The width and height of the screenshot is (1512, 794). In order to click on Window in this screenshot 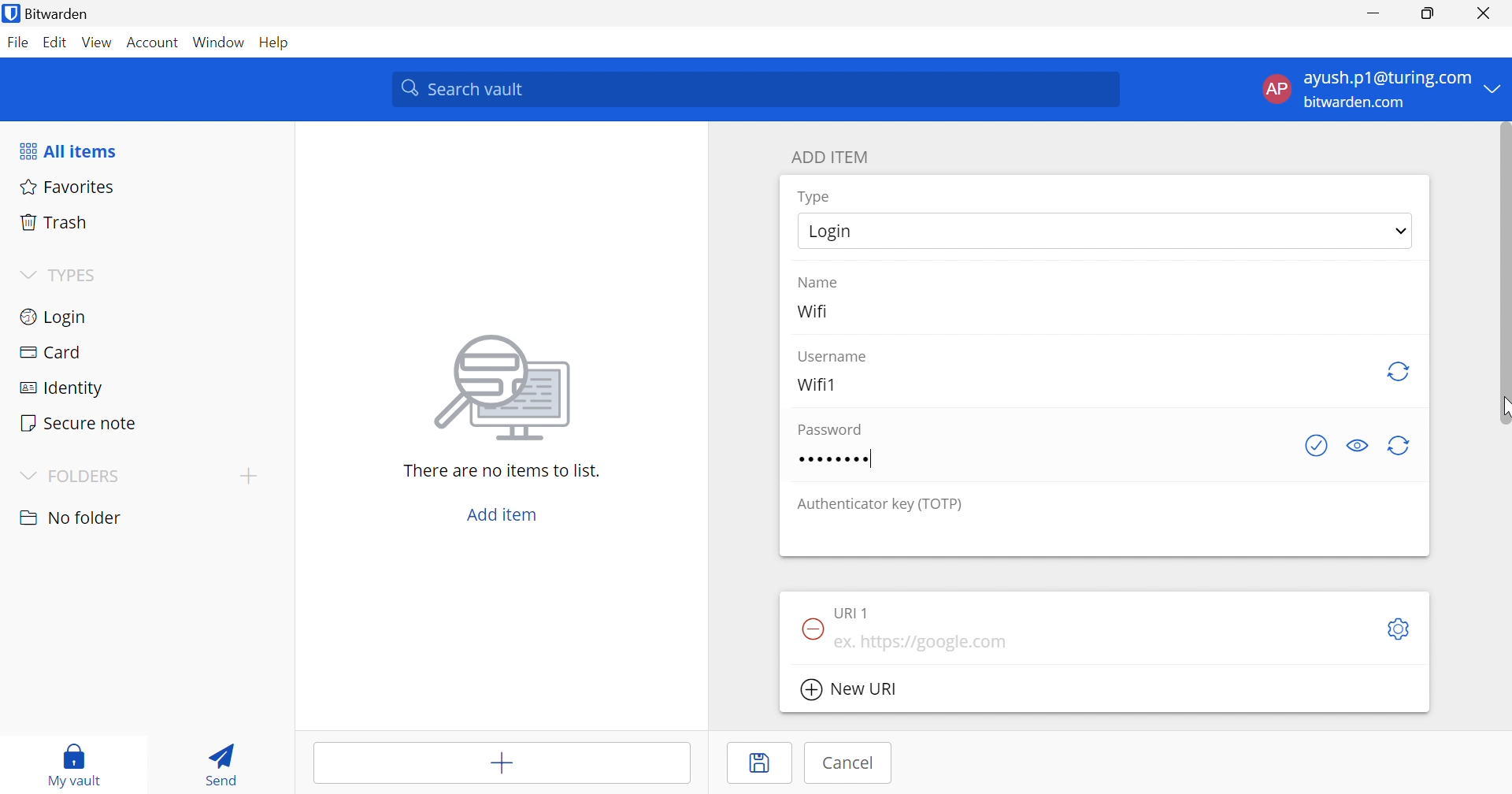, I will do `click(220, 43)`.